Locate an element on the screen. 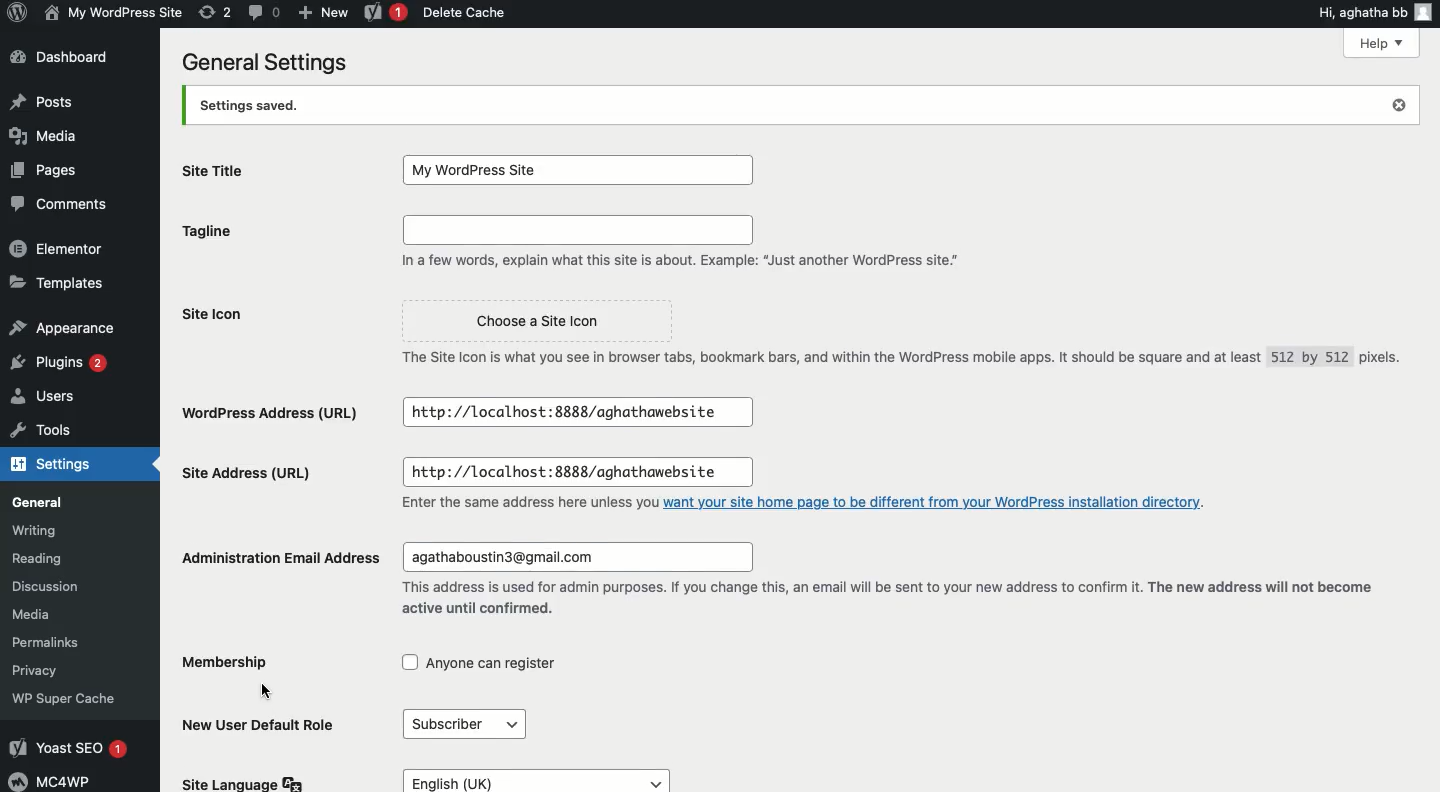 This screenshot has width=1440, height=792. Cursor is located at coordinates (269, 693).